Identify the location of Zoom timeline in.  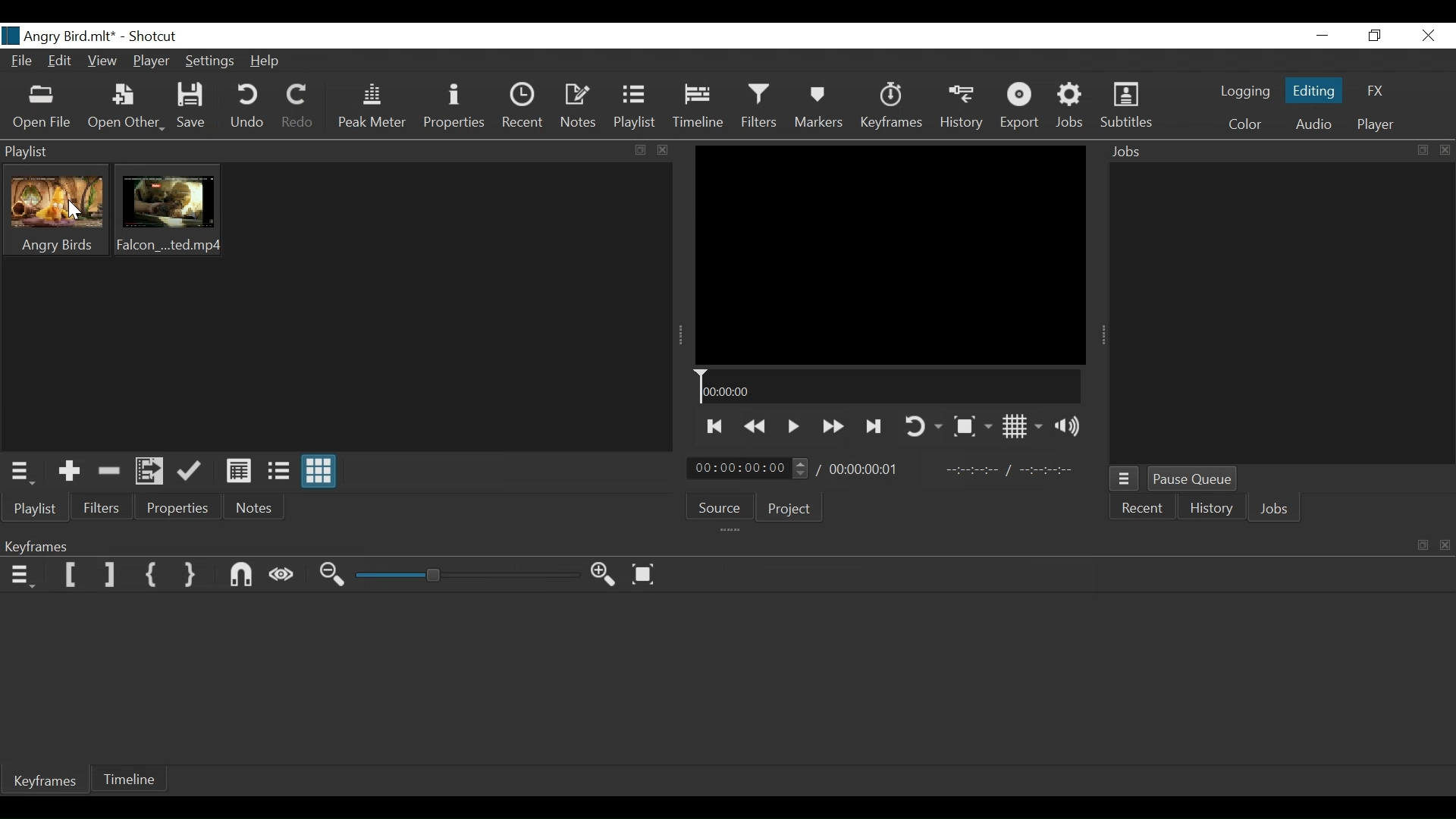
(604, 574).